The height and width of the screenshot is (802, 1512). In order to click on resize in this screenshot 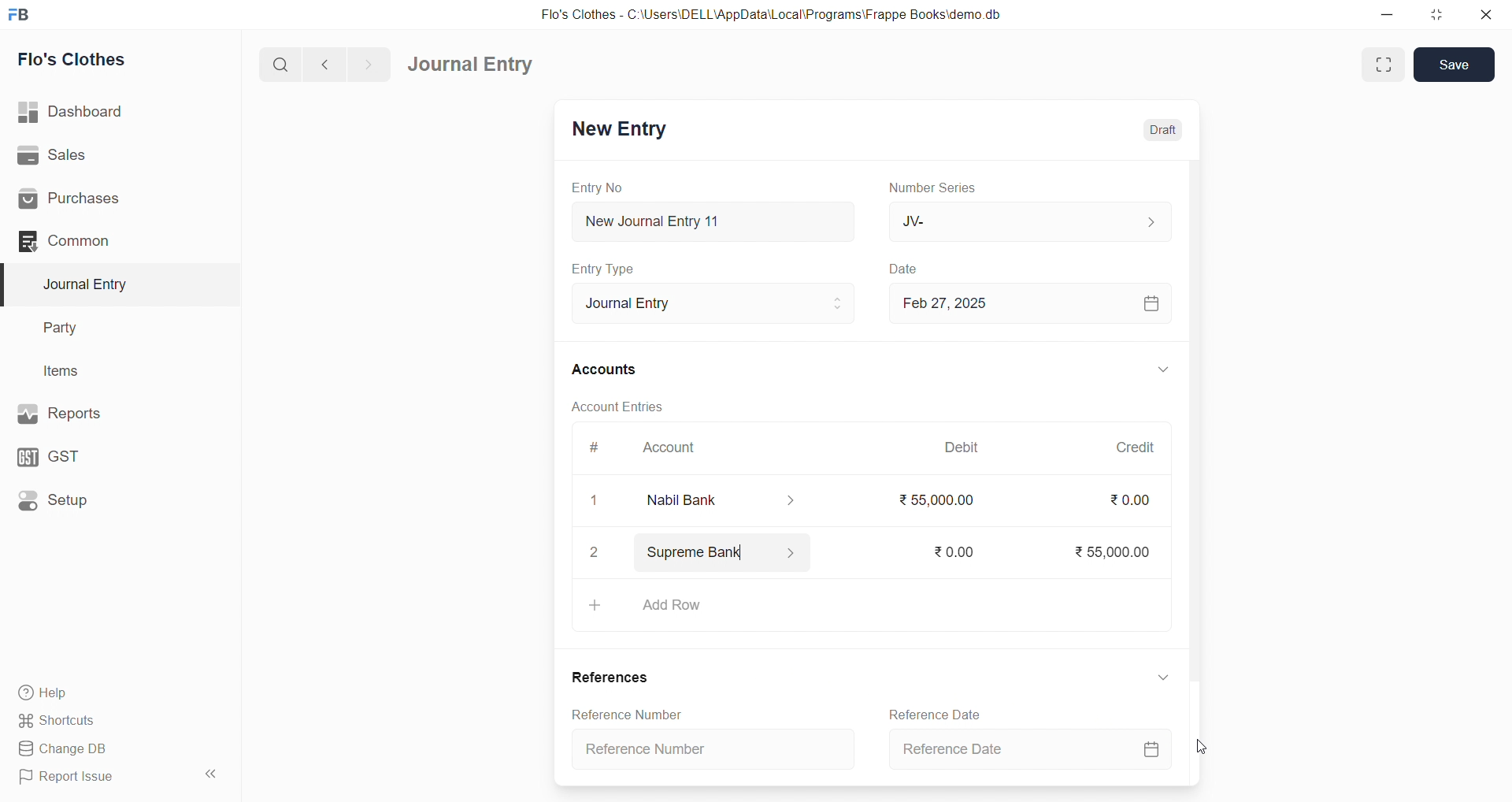, I will do `click(1436, 13)`.